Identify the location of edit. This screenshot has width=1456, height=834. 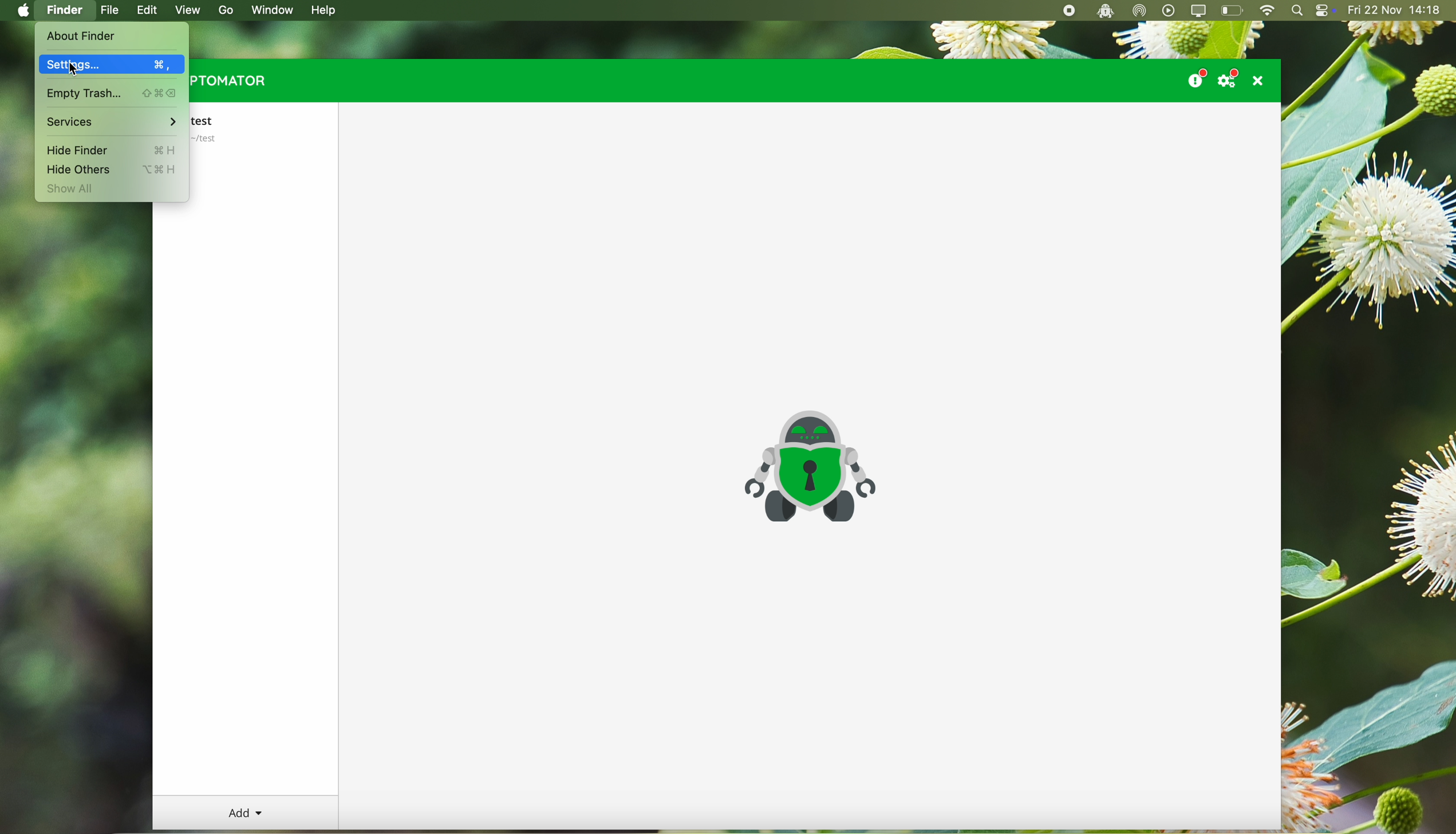
(150, 11).